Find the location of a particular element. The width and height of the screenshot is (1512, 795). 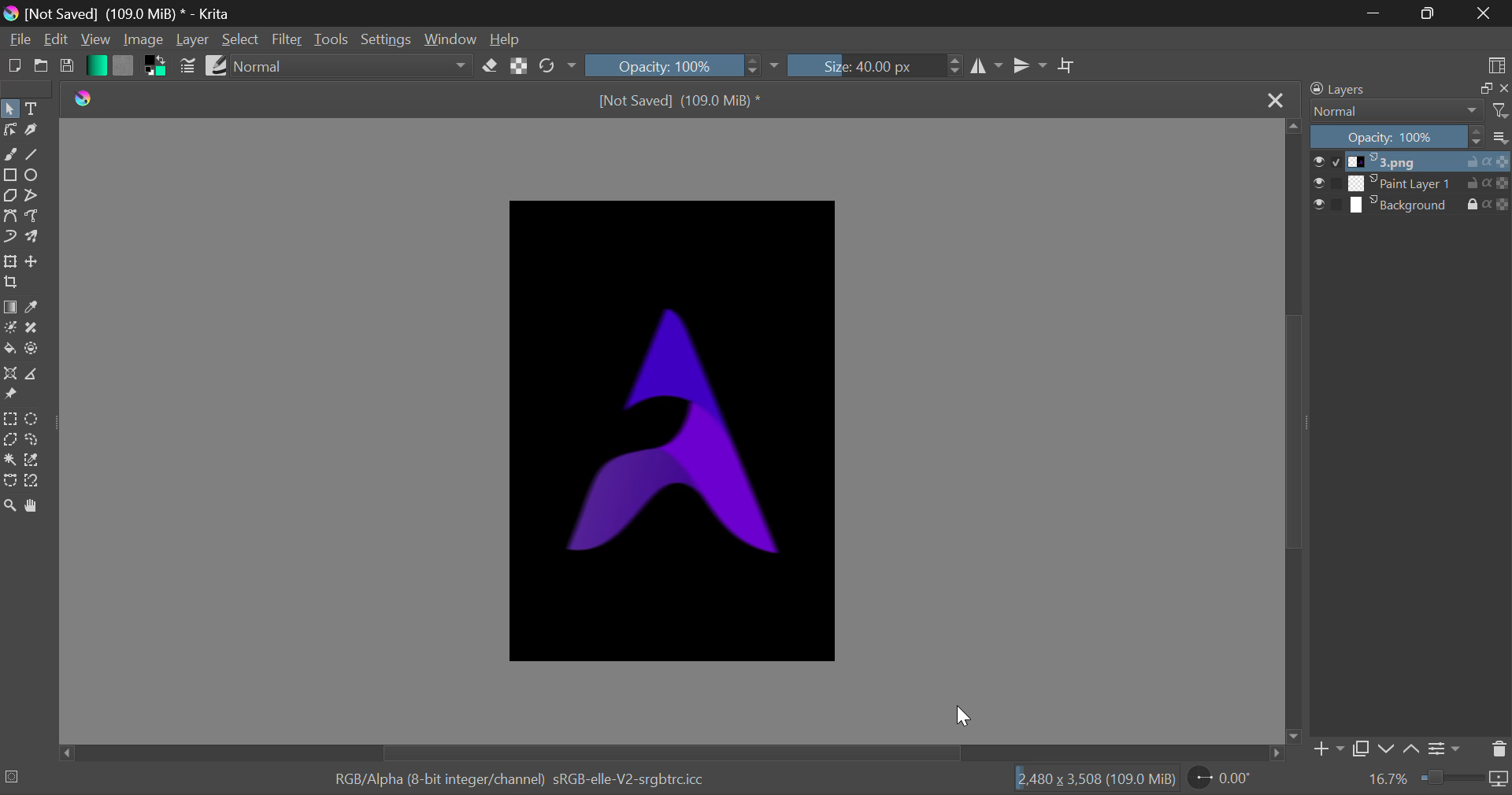

Measurements is located at coordinates (36, 374).